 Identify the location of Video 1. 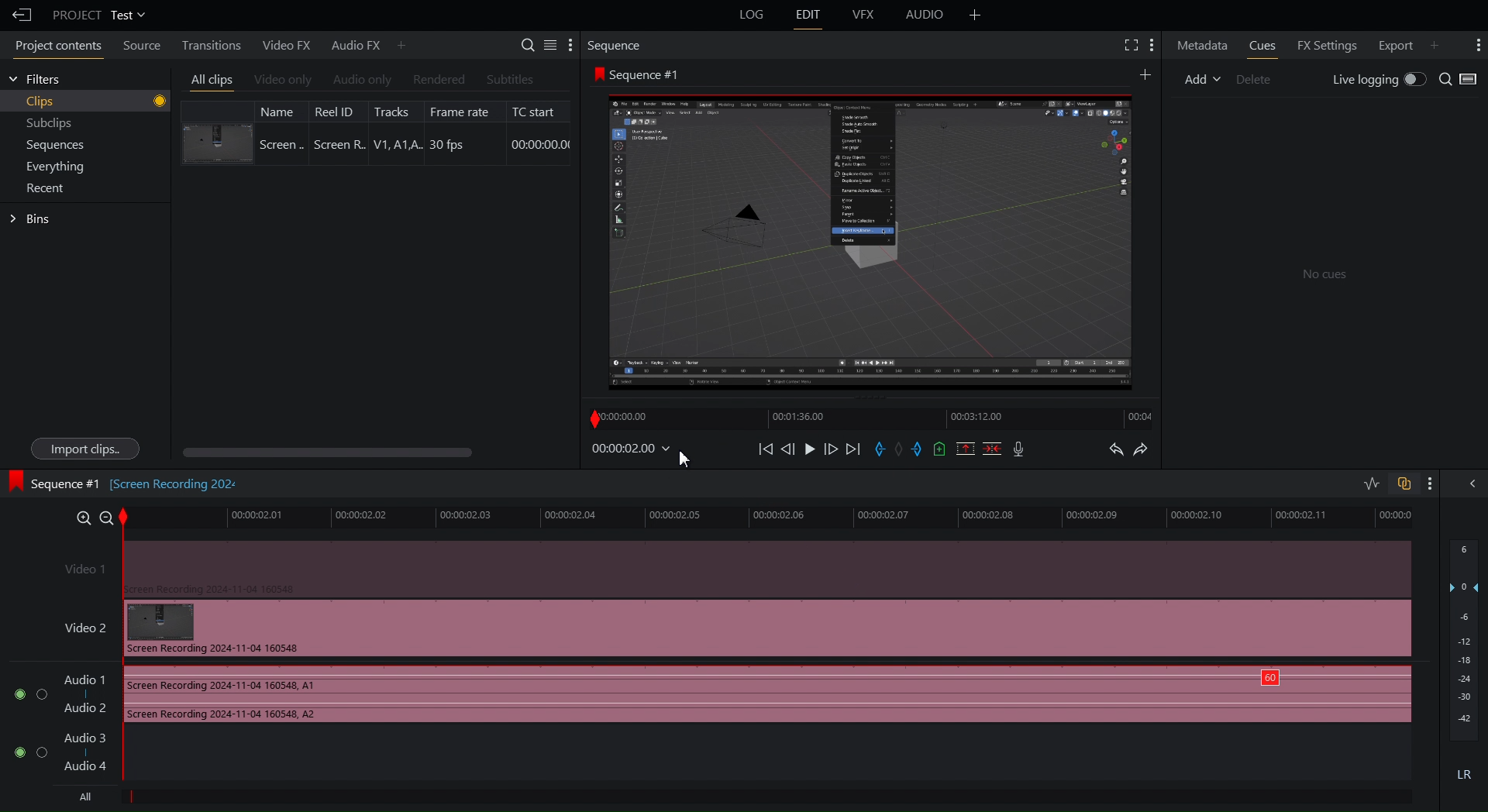
(730, 567).